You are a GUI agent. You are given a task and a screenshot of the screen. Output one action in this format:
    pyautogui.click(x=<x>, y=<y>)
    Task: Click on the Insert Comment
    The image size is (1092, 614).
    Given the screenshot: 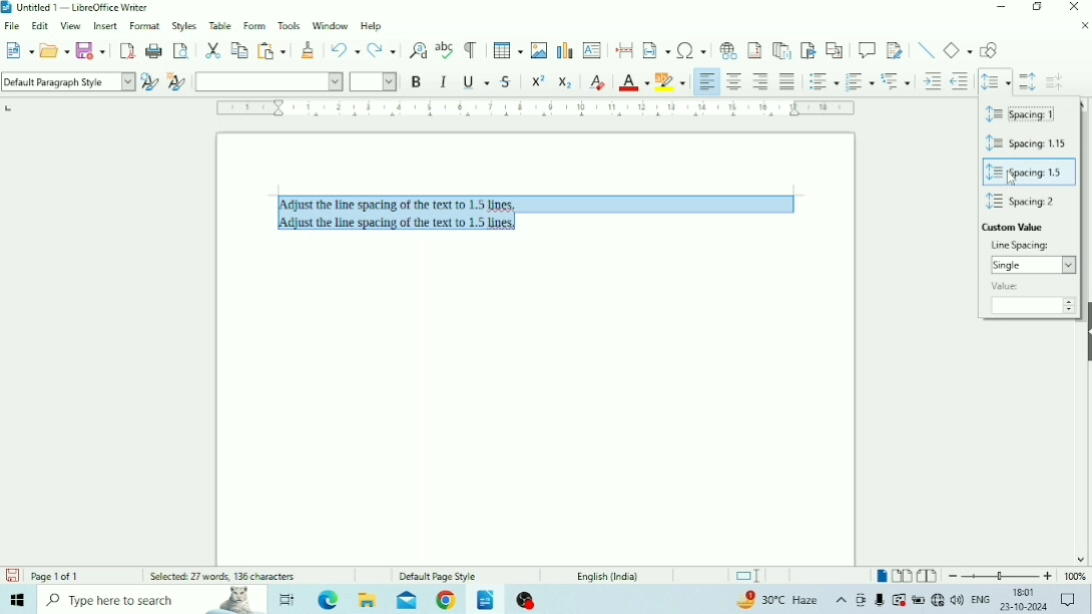 What is the action you would take?
    pyautogui.click(x=867, y=50)
    